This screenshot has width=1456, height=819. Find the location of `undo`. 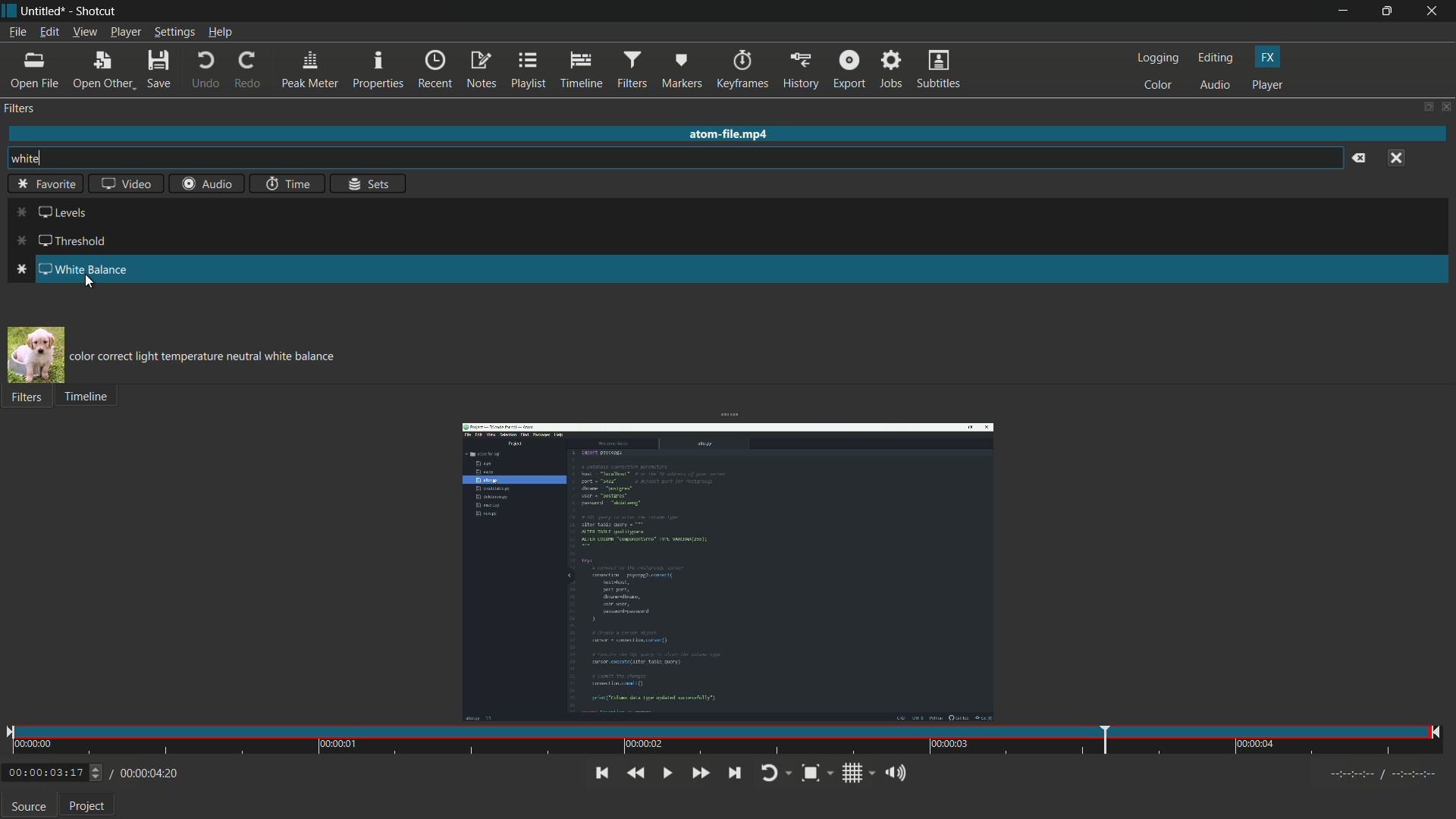

undo is located at coordinates (204, 69).